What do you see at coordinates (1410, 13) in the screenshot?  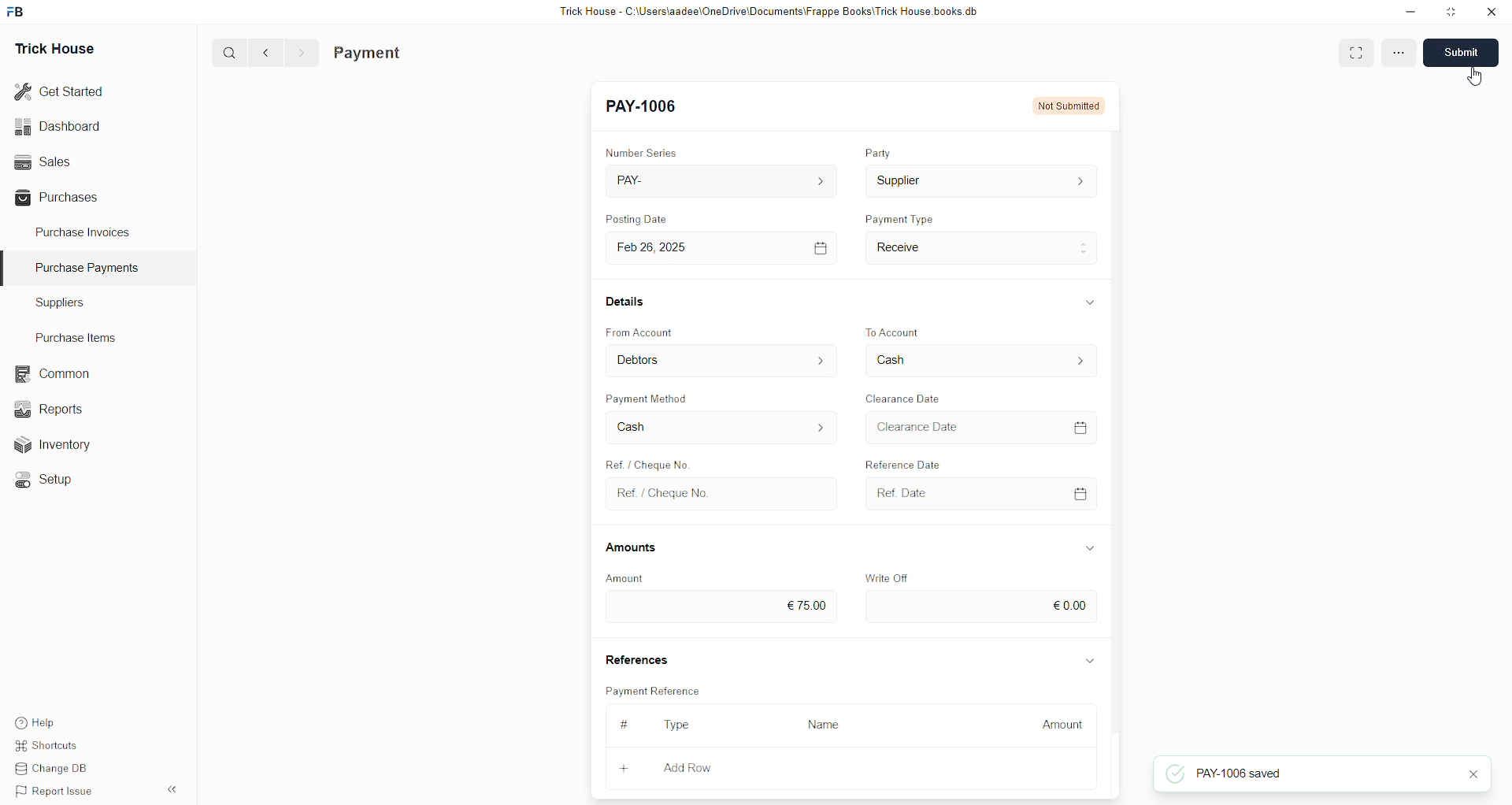 I see `Minimize` at bounding box center [1410, 13].